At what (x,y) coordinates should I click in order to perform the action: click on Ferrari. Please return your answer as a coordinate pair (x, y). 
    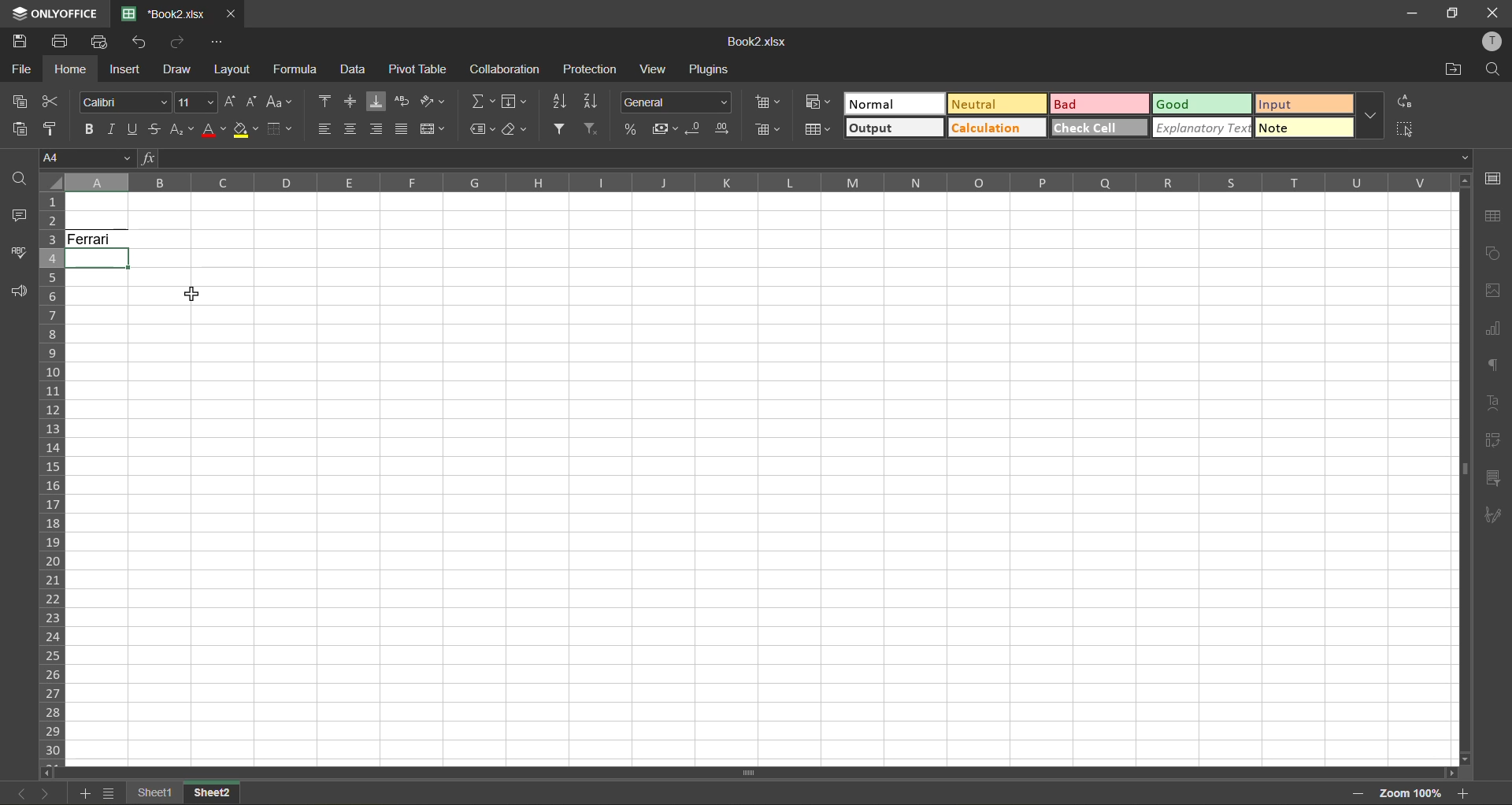
    Looking at the image, I should click on (102, 242).